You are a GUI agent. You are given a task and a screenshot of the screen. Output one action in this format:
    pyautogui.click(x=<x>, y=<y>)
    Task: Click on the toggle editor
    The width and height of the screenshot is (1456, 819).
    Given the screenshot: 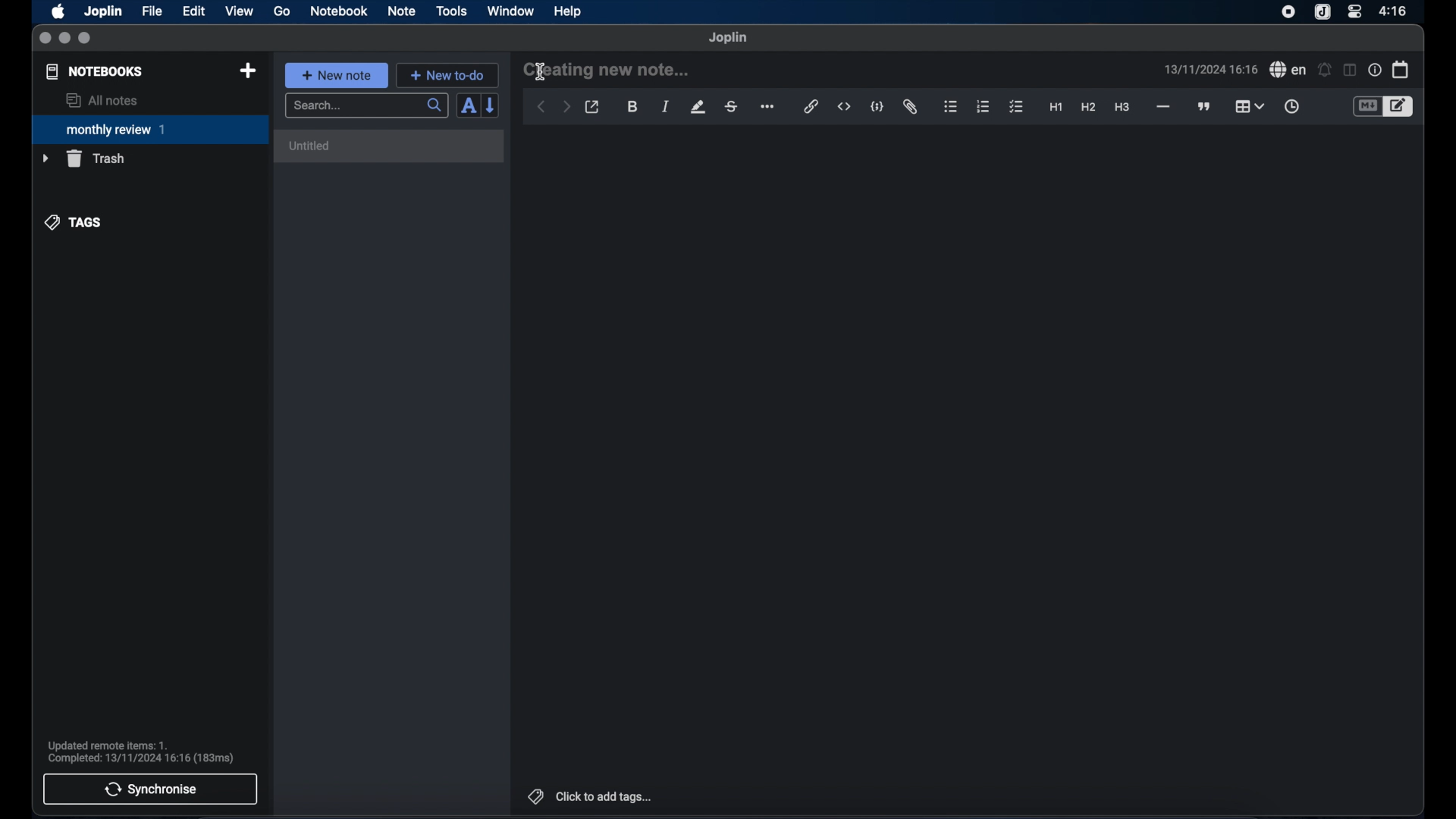 What is the action you would take?
    pyautogui.click(x=1401, y=107)
    